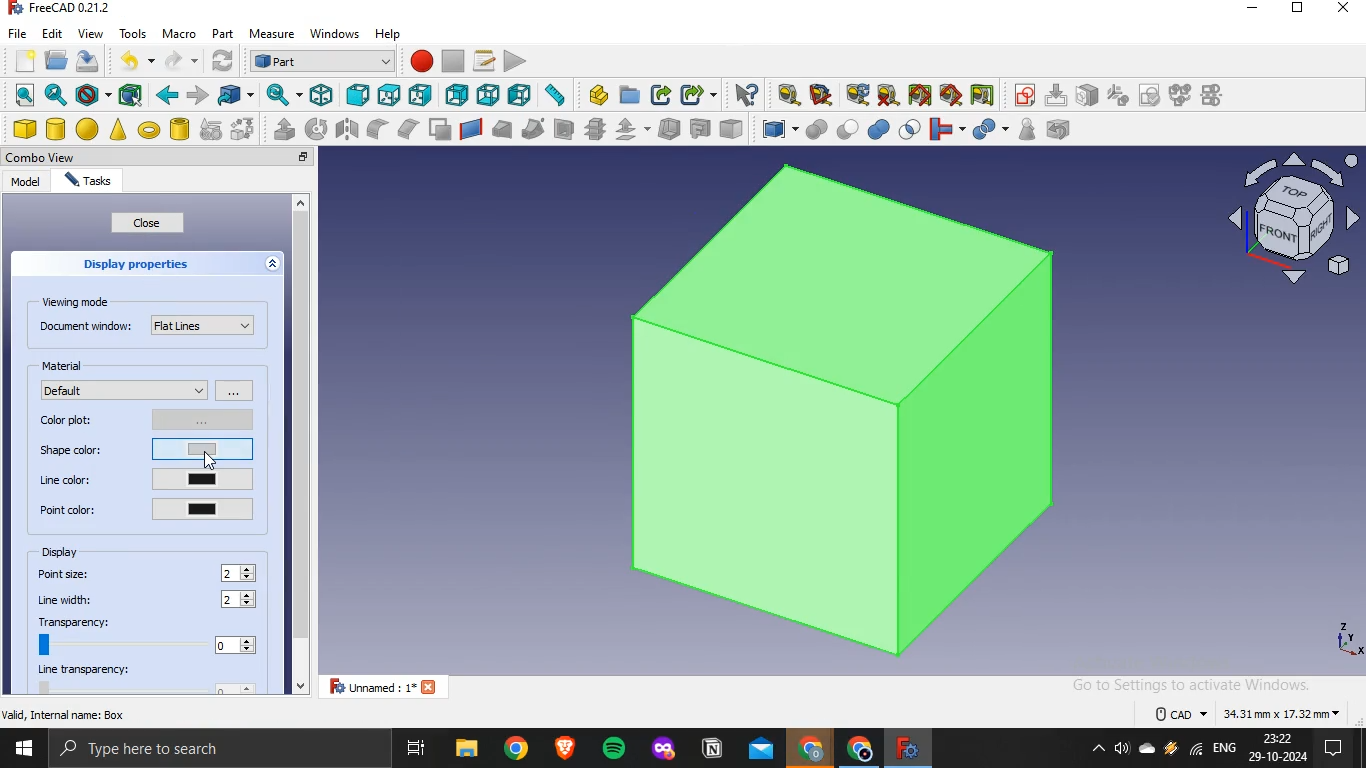 This screenshot has width=1366, height=768. I want to click on text, so click(66, 714).